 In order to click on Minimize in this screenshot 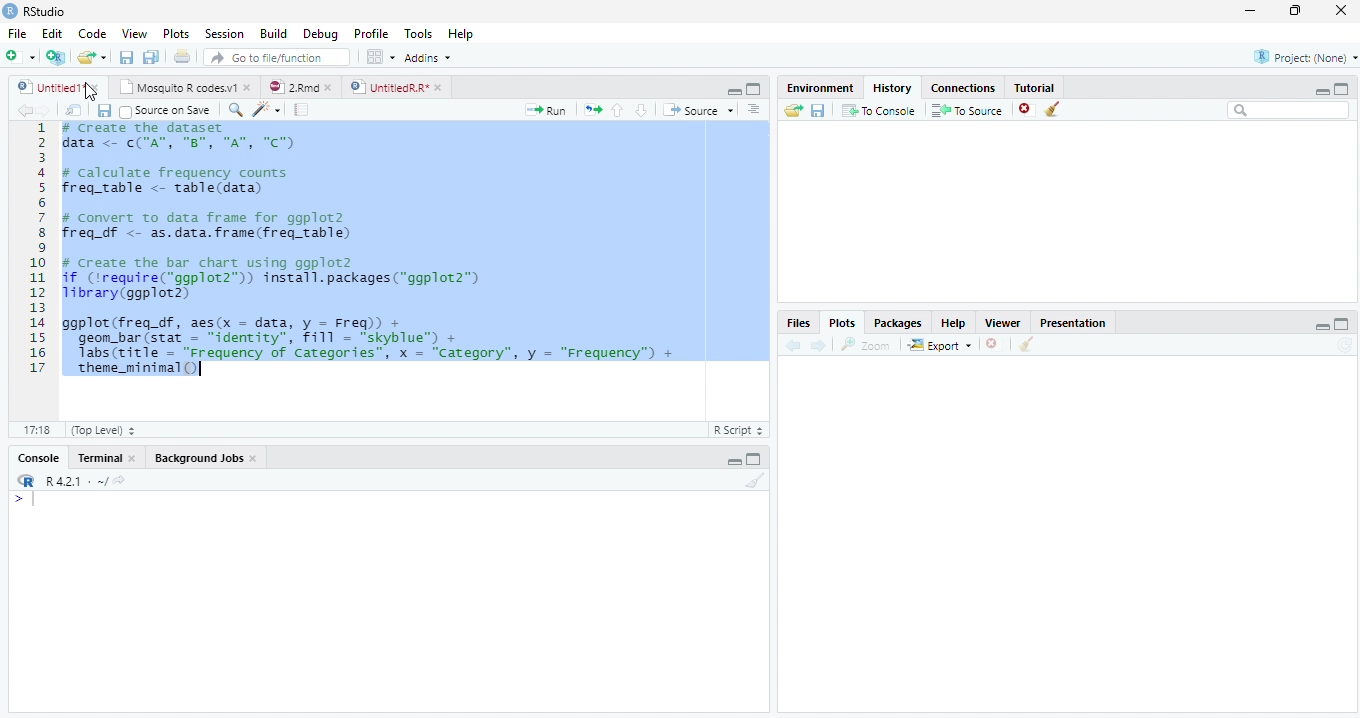, I will do `click(731, 90)`.